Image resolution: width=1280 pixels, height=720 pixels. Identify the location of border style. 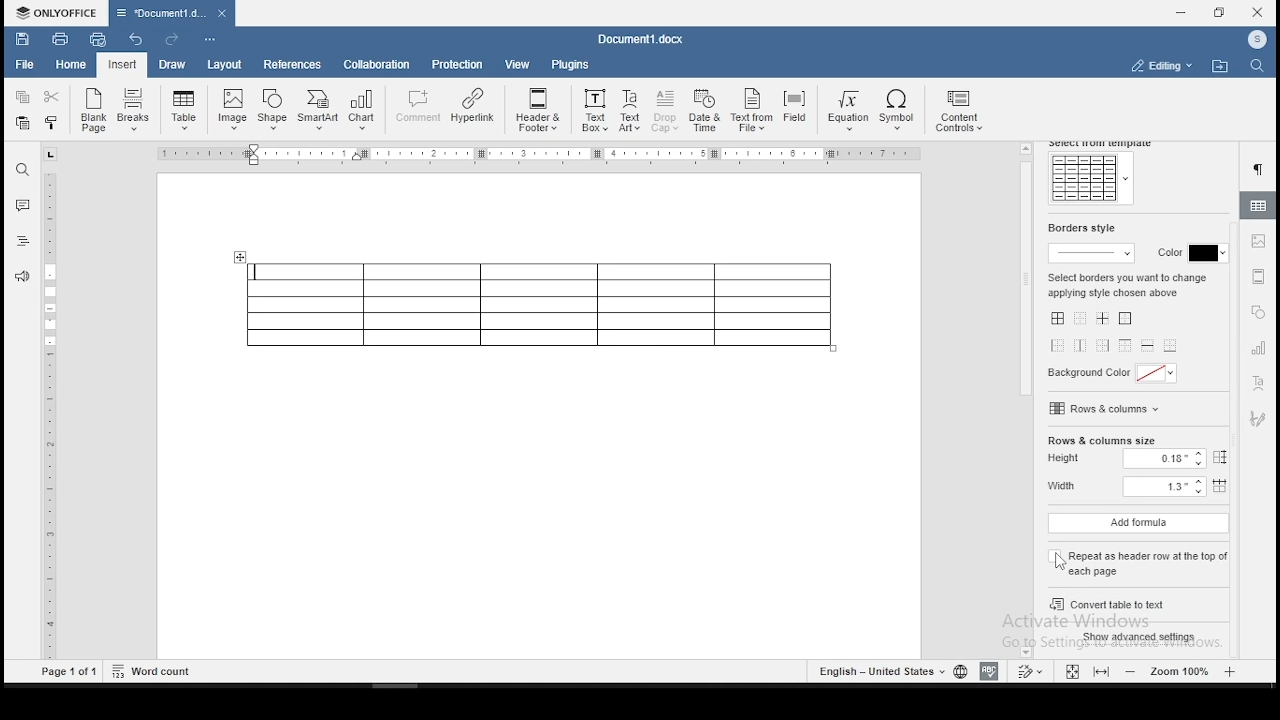
(1079, 228).